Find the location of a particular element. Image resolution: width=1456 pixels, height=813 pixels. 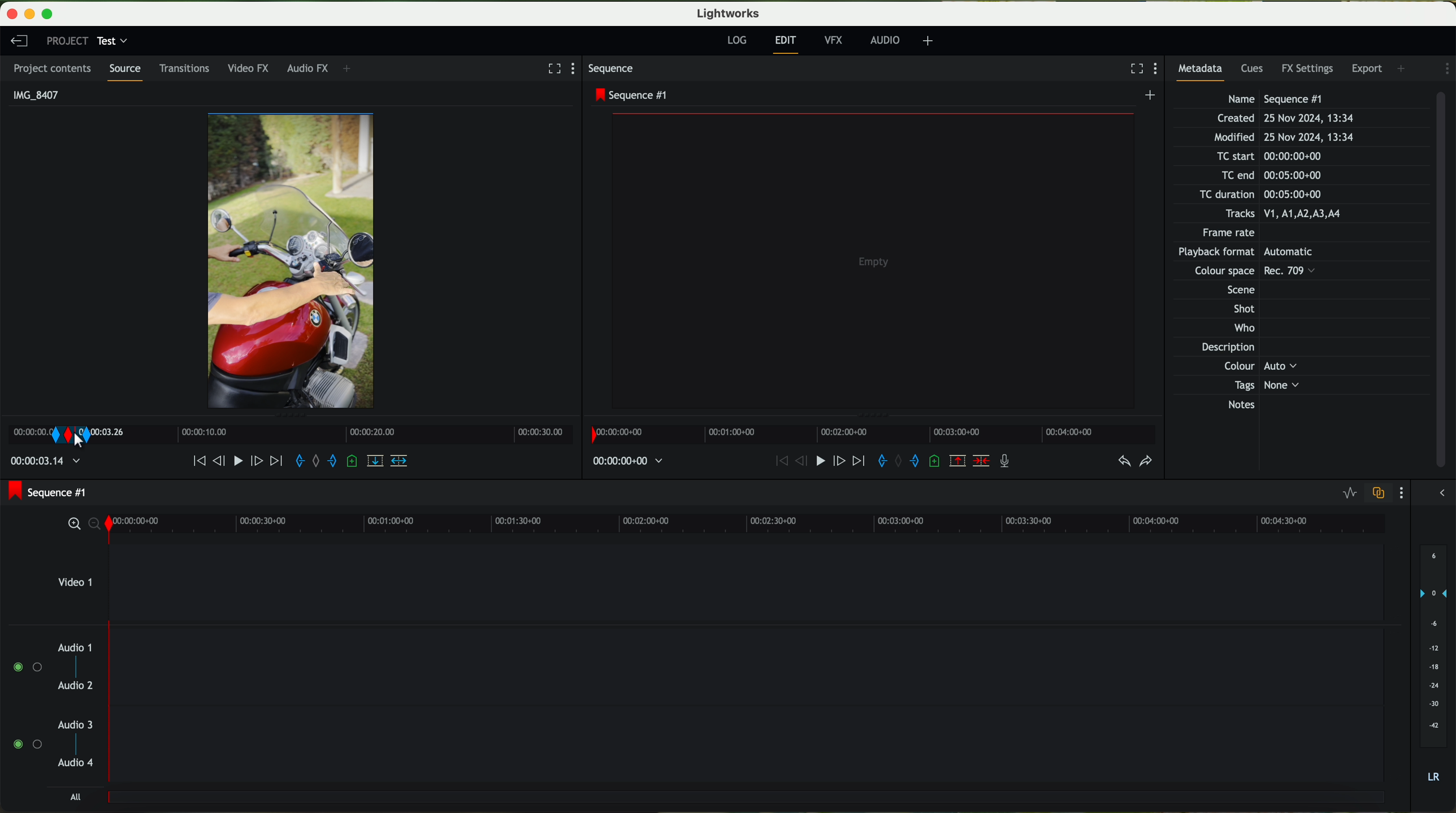

audio 2 is located at coordinates (76, 687).